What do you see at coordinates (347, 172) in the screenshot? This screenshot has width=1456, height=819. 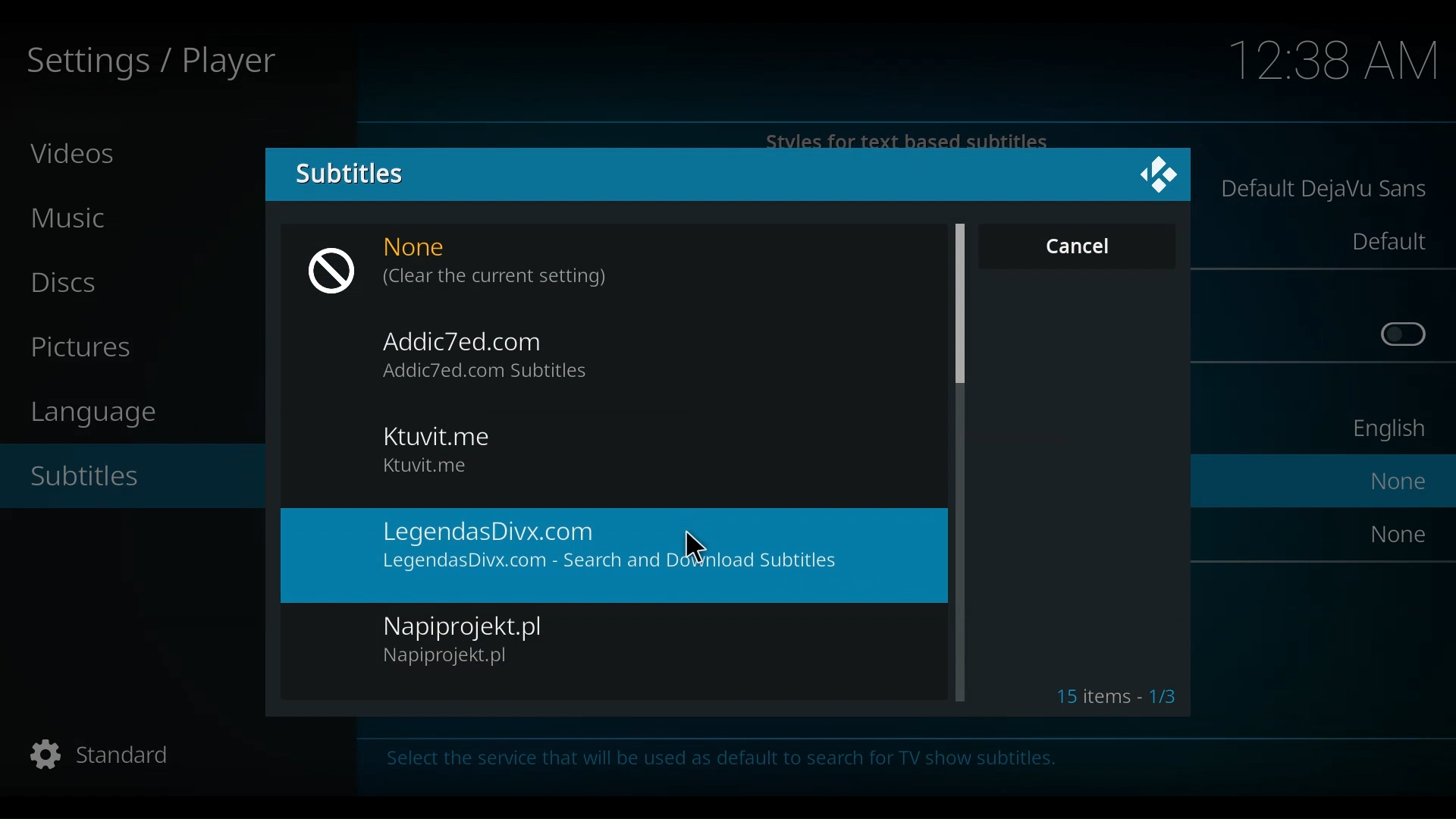 I see `Subtitles` at bounding box center [347, 172].